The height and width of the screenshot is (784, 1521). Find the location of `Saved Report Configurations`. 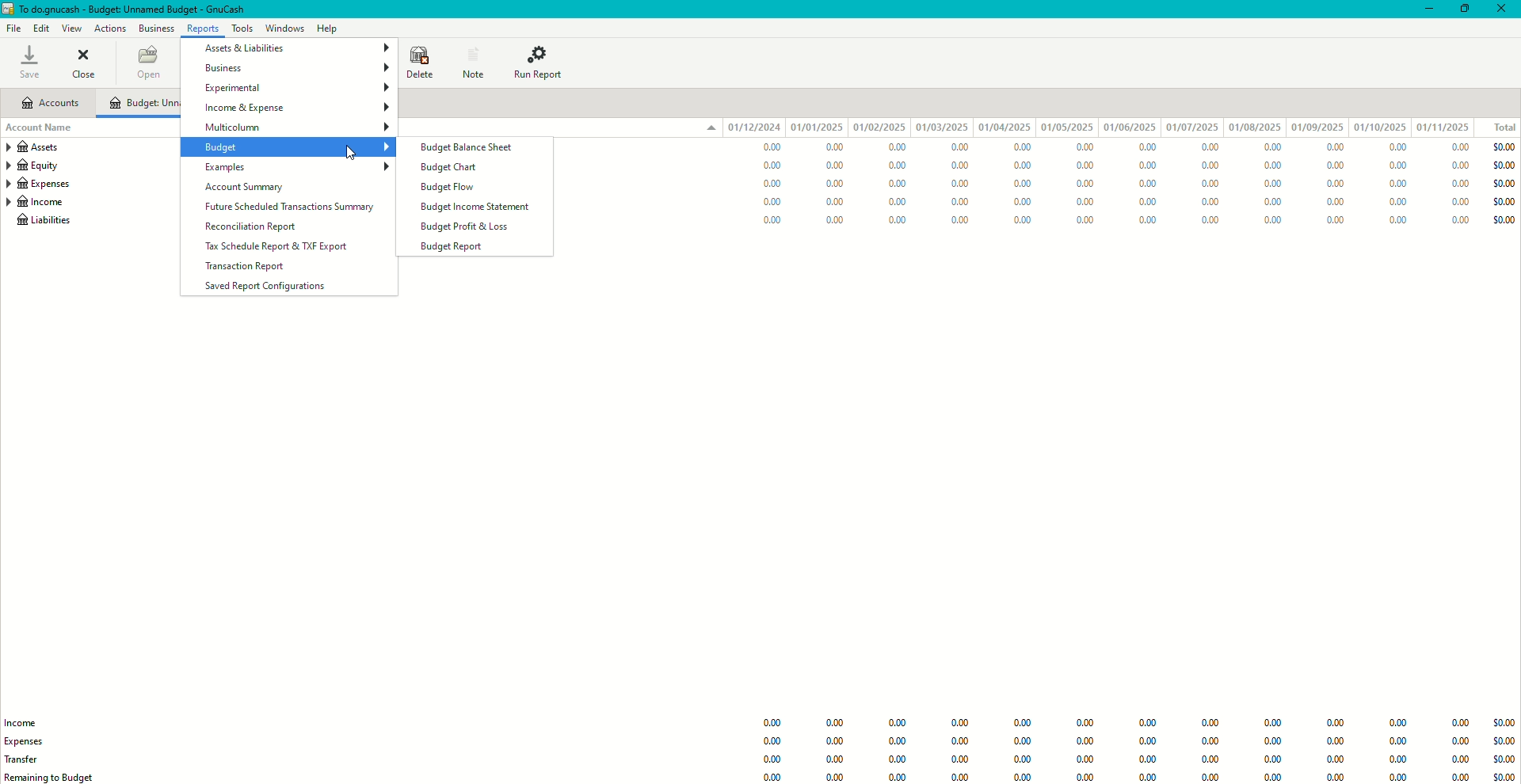

Saved Report Configurations is located at coordinates (273, 287).